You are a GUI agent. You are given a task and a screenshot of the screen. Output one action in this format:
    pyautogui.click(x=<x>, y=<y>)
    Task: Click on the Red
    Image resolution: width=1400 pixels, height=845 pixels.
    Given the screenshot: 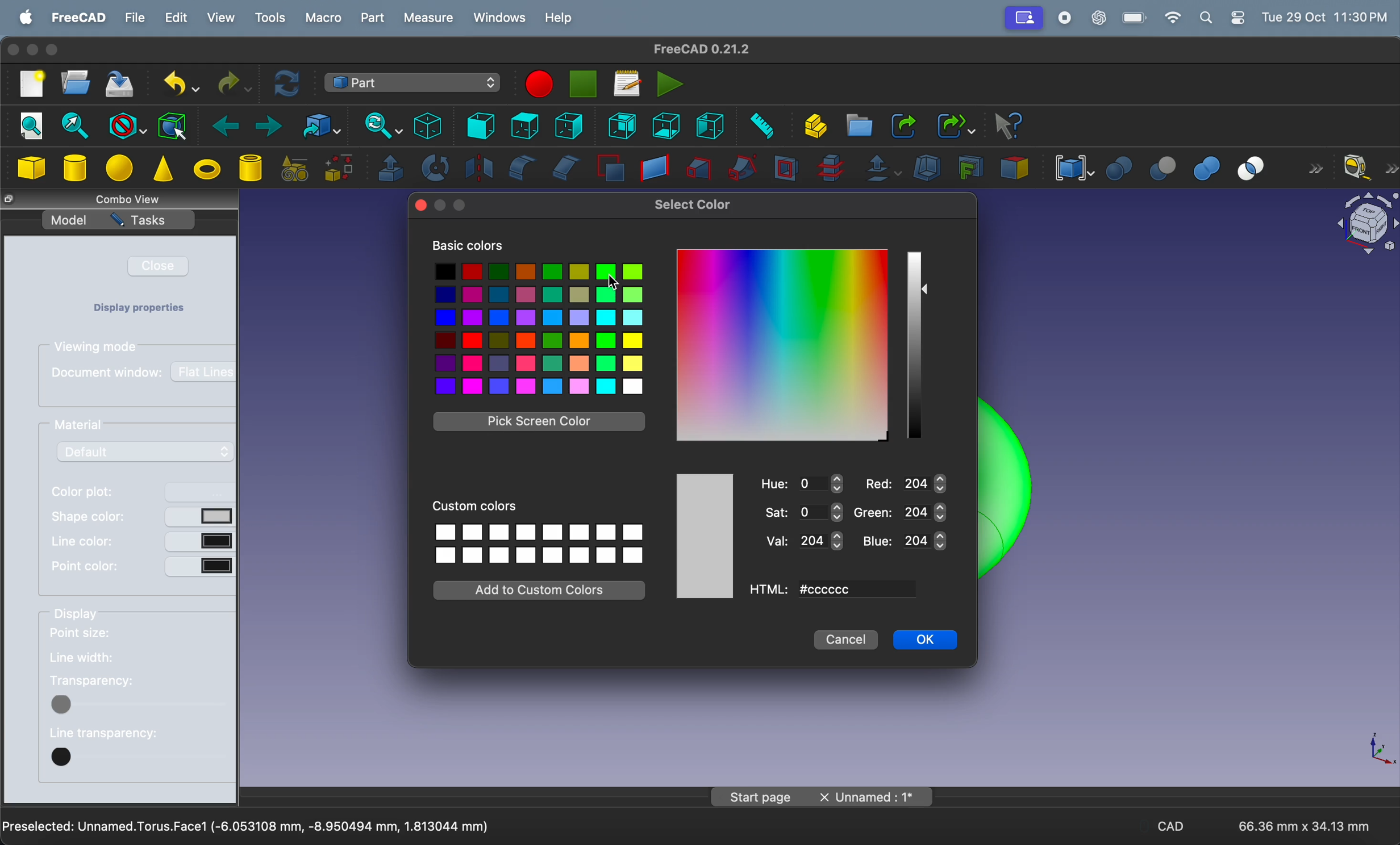 What is the action you would take?
    pyautogui.click(x=905, y=484)
    